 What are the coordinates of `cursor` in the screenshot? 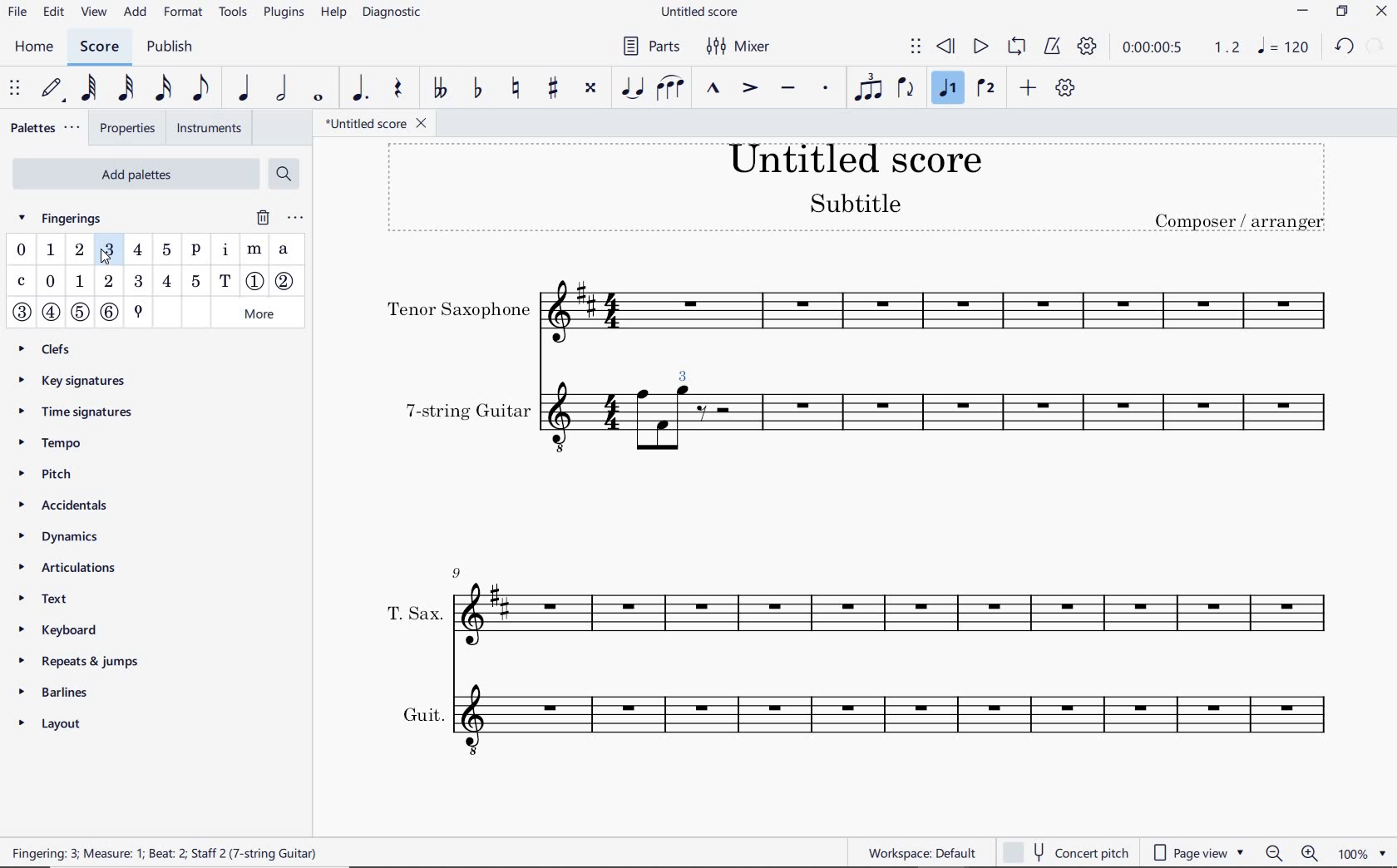 It's located at (106, 258).